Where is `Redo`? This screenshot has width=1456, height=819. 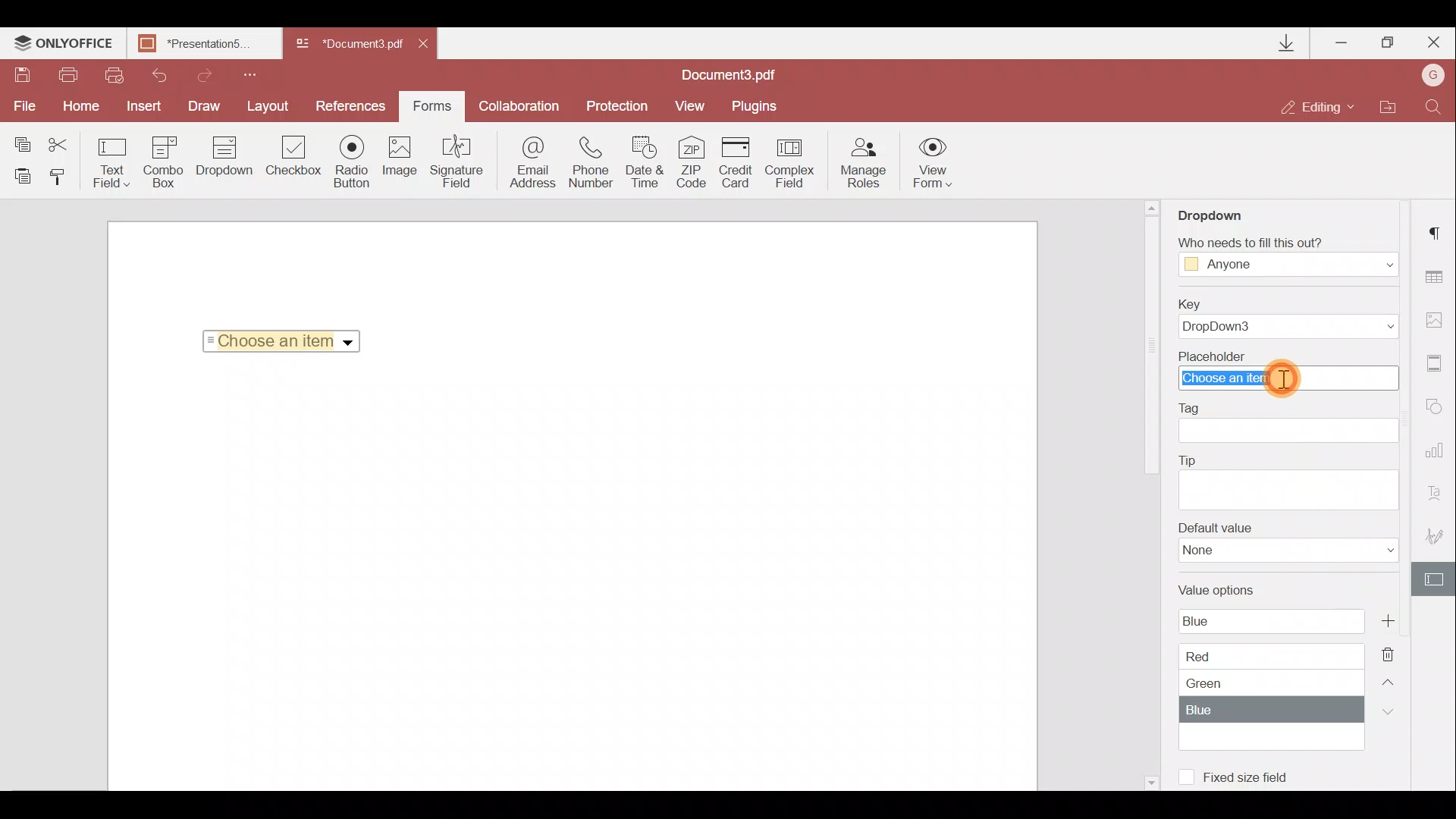 Redo is located at coordinates (206, 74).